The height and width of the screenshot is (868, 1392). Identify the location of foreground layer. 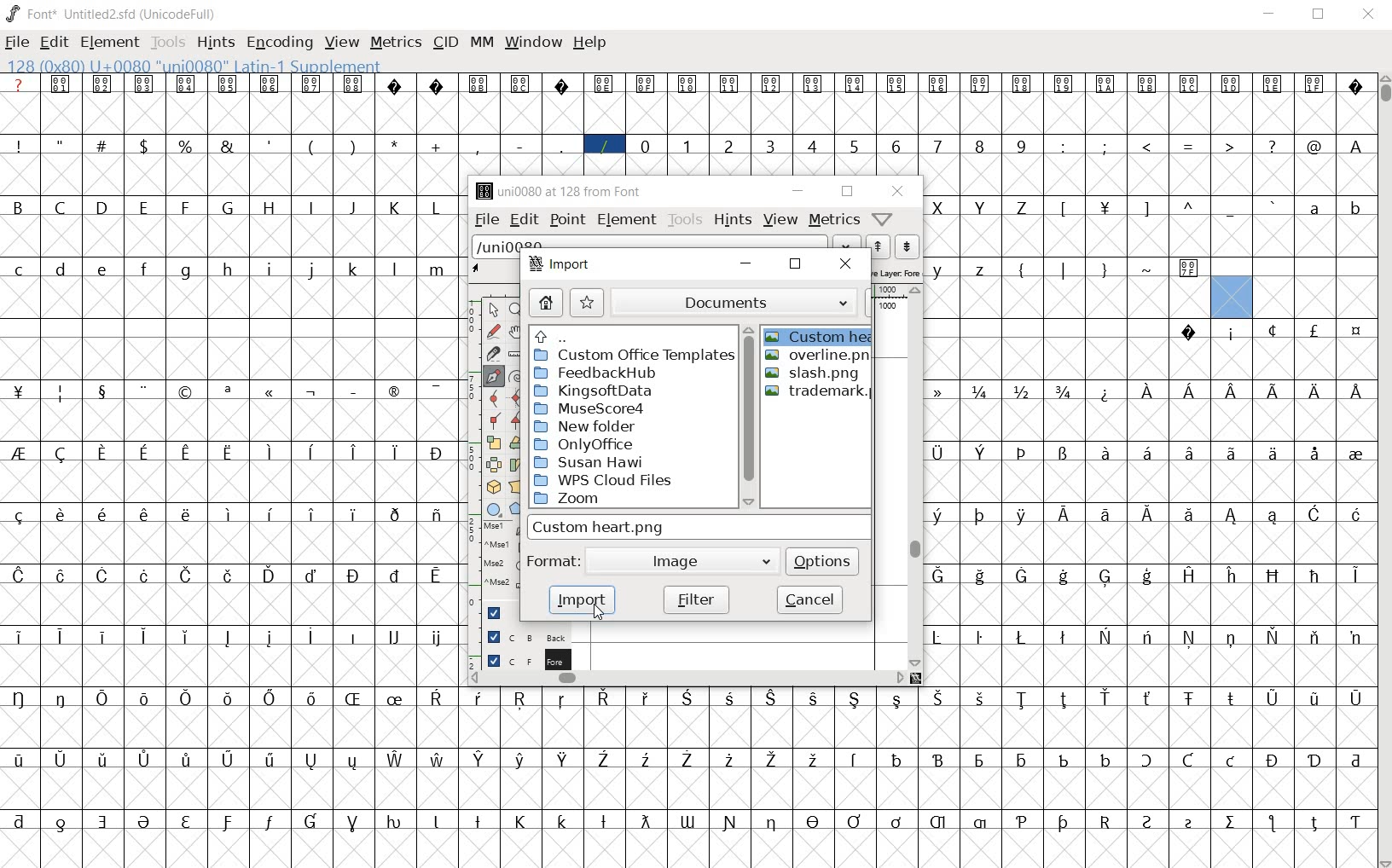
(518, 658).